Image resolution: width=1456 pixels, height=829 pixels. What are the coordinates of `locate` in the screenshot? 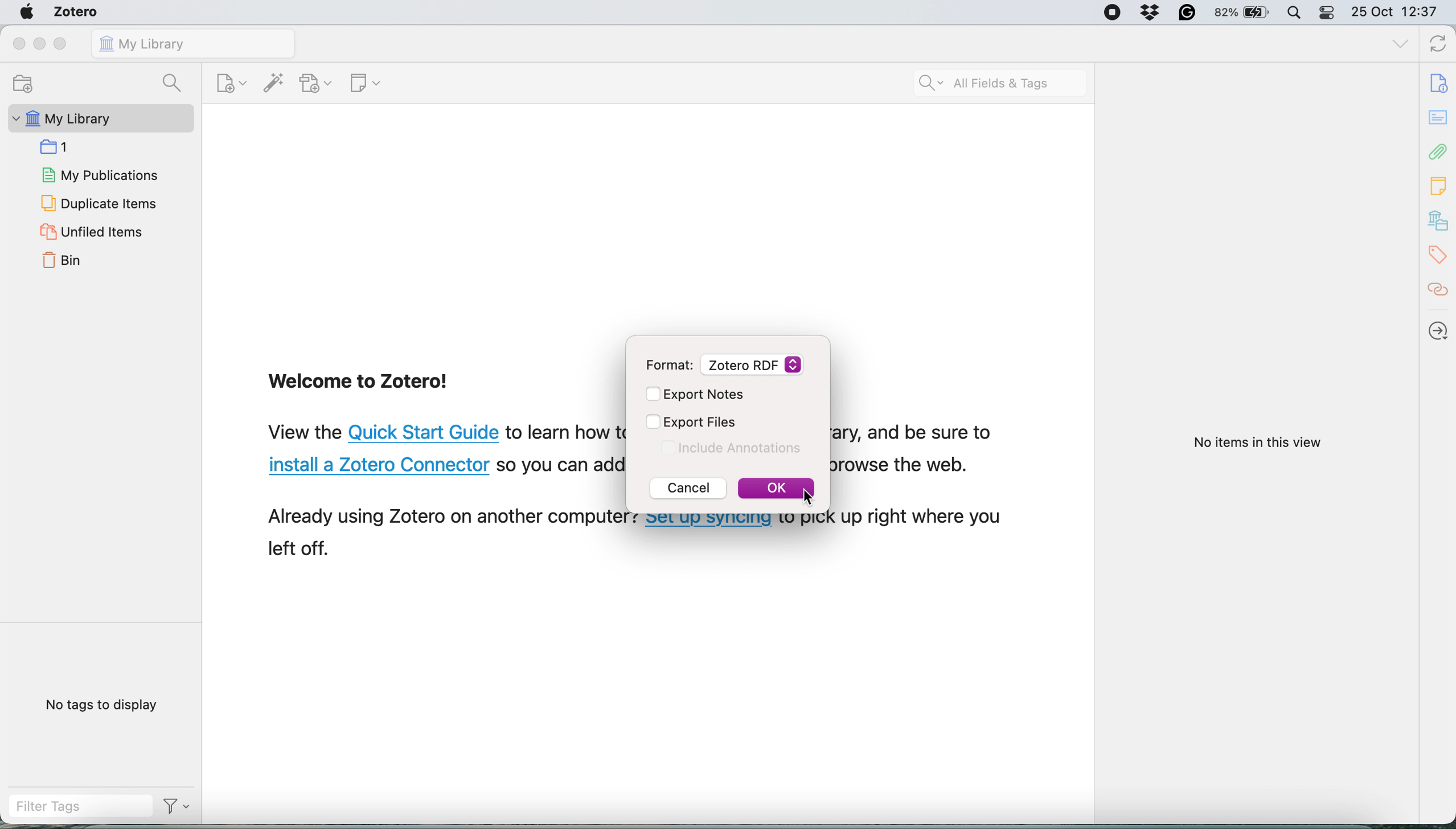 It's located at (1440, 333).